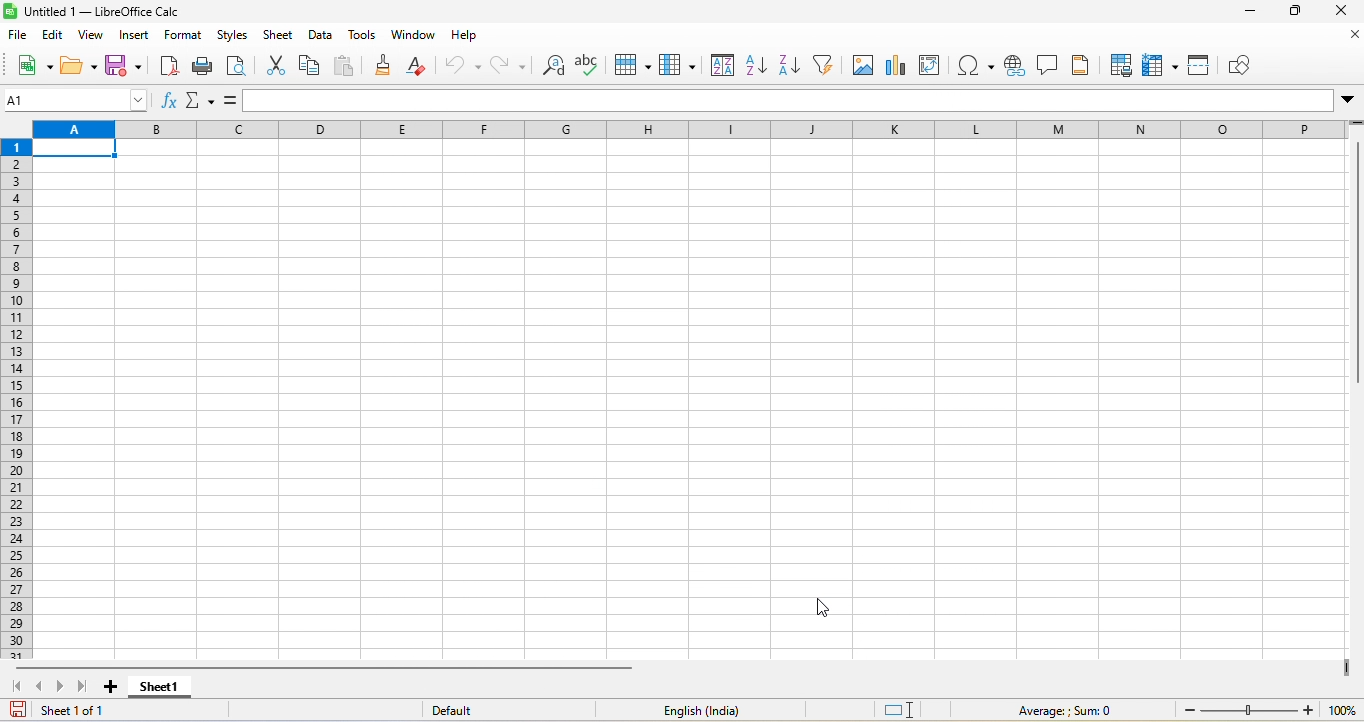  What do you see at coordinates (185, 38) in the screenshot?
I see `format` at bounding box center [185, 38].